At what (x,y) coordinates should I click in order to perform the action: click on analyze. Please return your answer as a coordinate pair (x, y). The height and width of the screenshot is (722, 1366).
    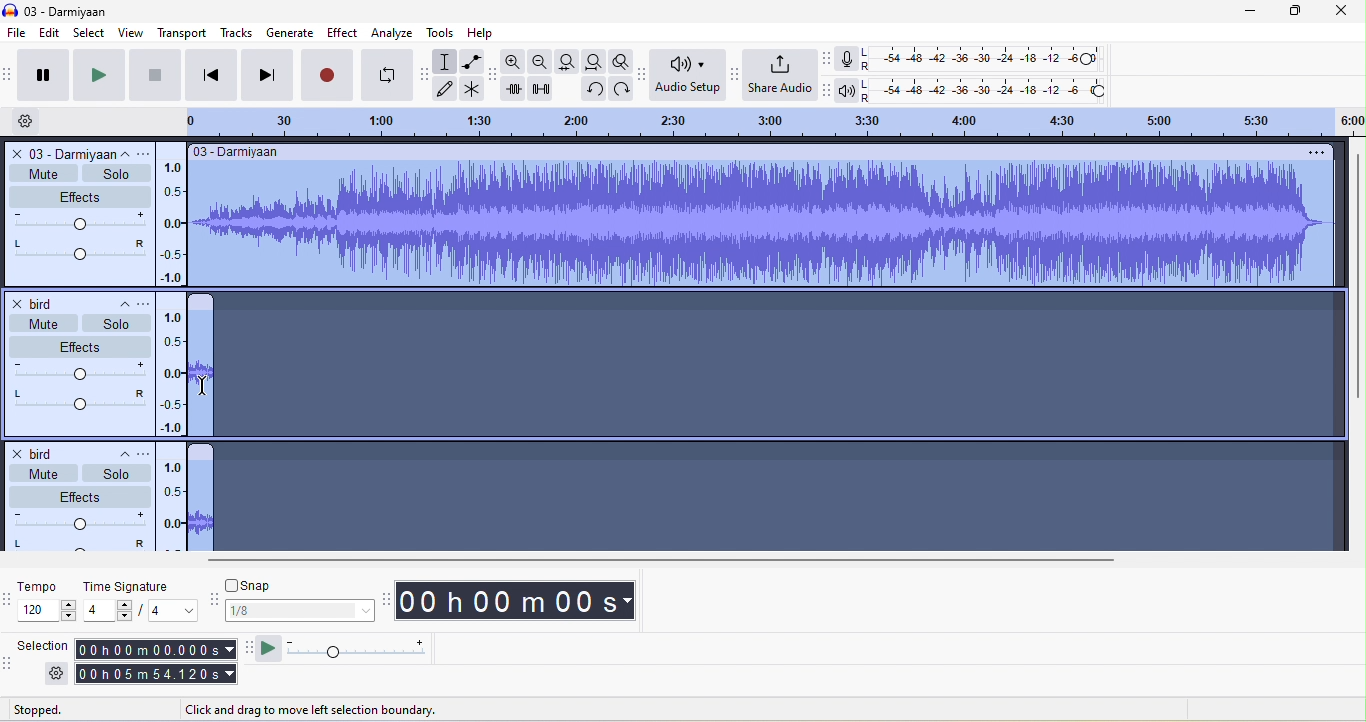
    Looking at the image, I should click on (393, 34).